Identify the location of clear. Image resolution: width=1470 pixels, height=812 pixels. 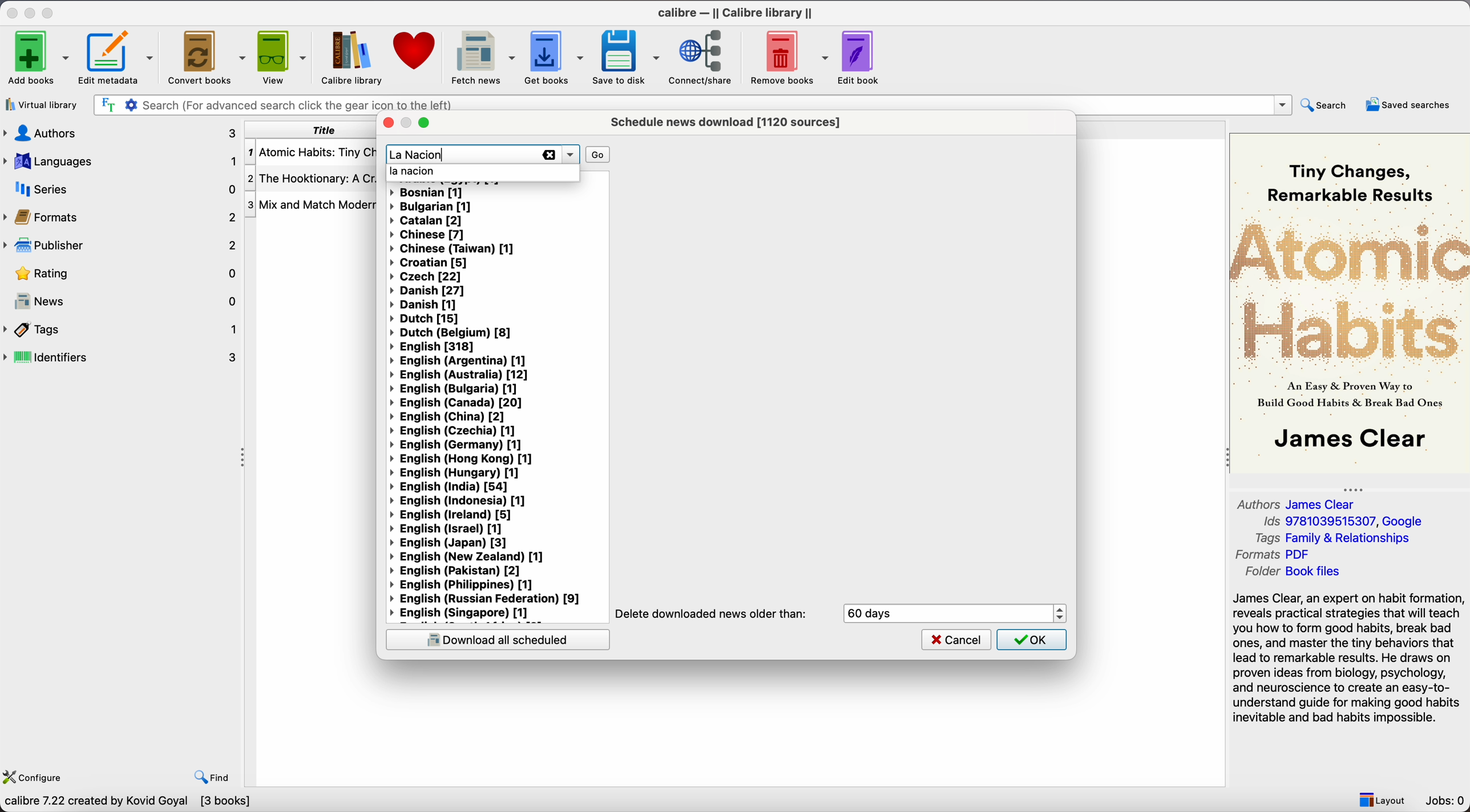
(549, 155).